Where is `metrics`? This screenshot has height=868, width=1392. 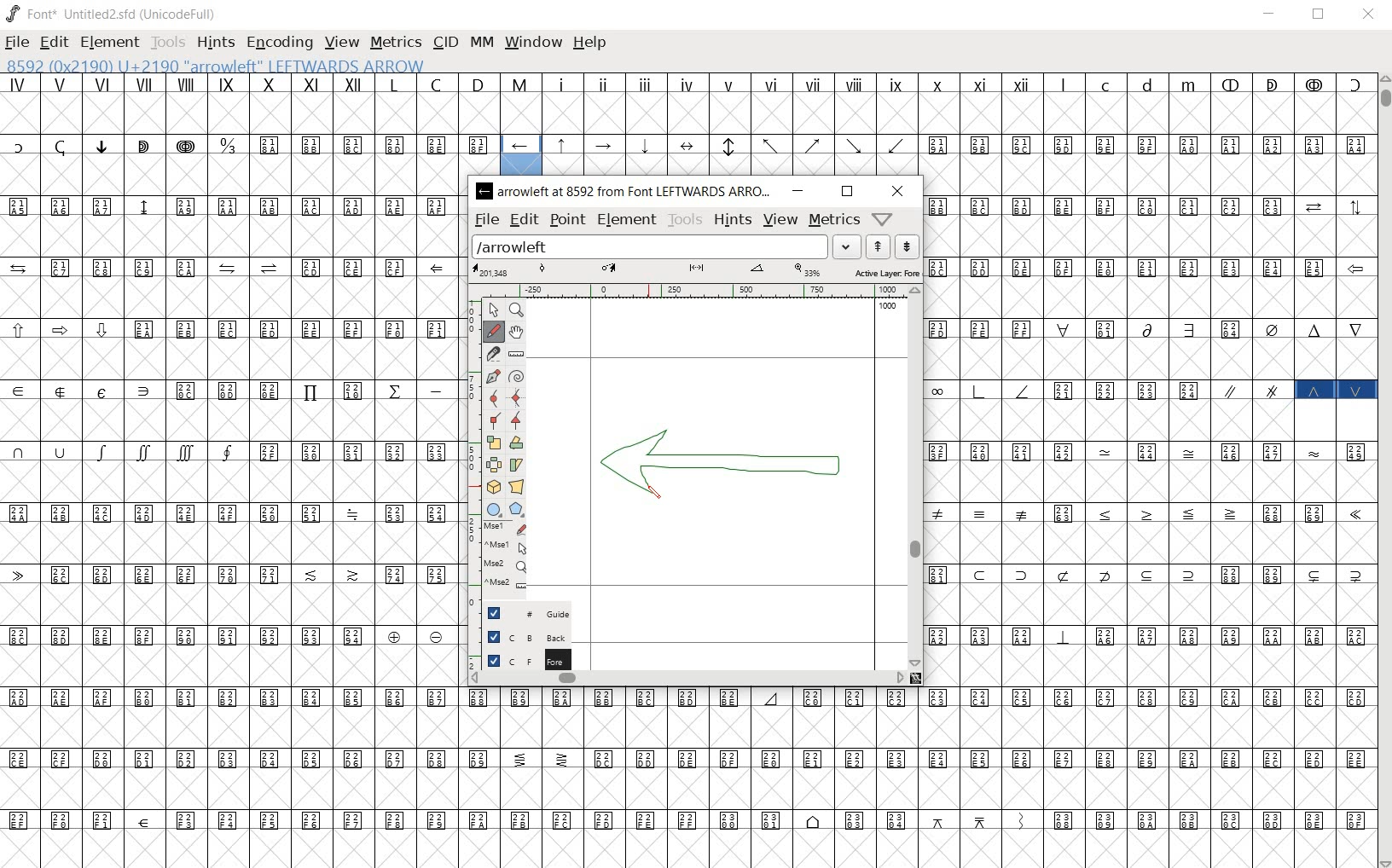 metrics is located at coordinates (832, 219).